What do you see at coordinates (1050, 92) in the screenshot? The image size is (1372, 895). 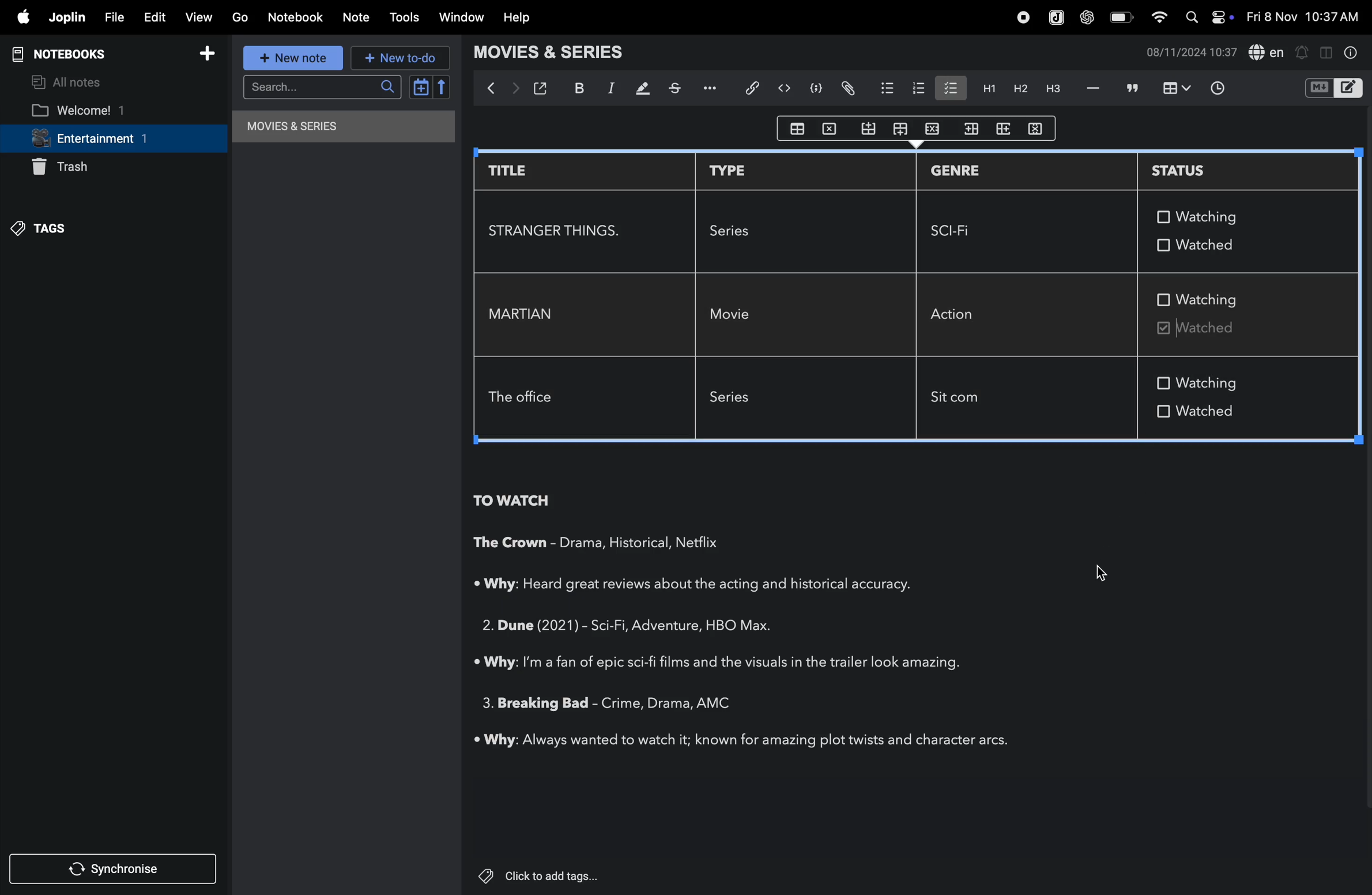 I see `heading 3` at bounding box center [1050, 92].